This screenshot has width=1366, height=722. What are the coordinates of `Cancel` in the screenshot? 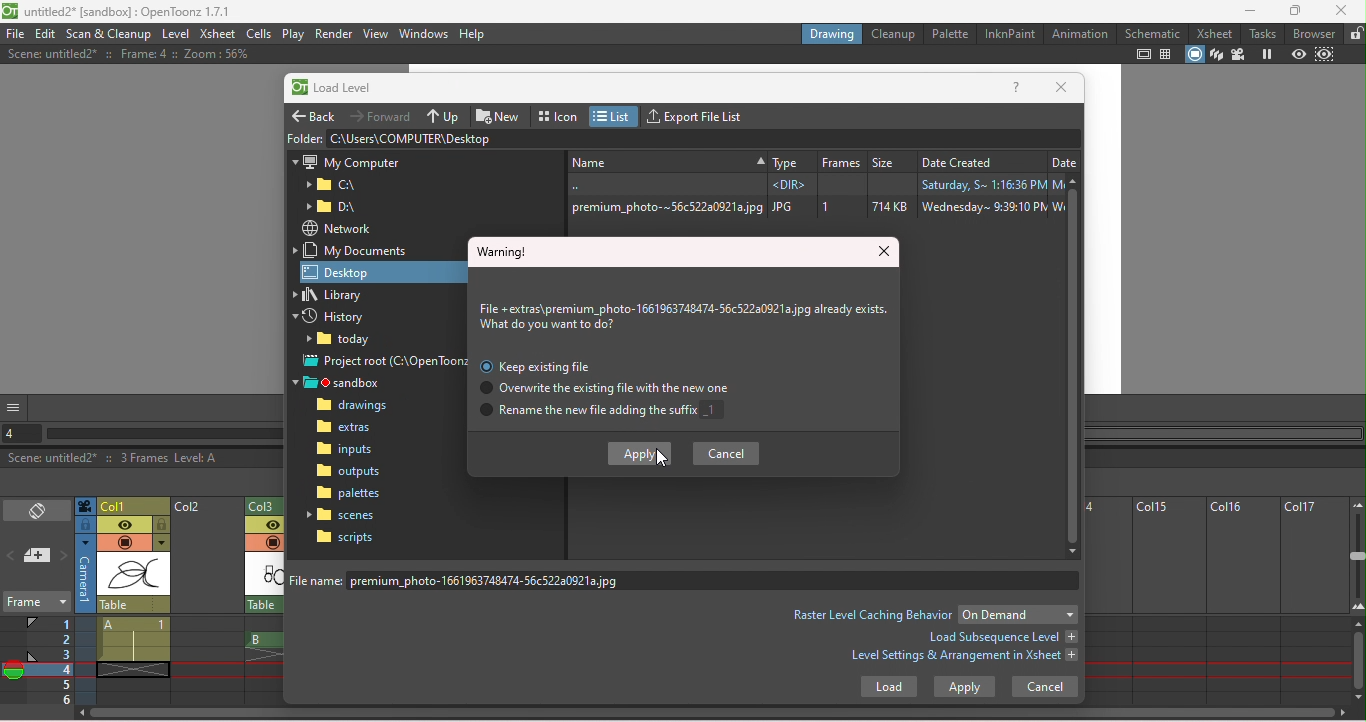 It's located at (1045, 686).